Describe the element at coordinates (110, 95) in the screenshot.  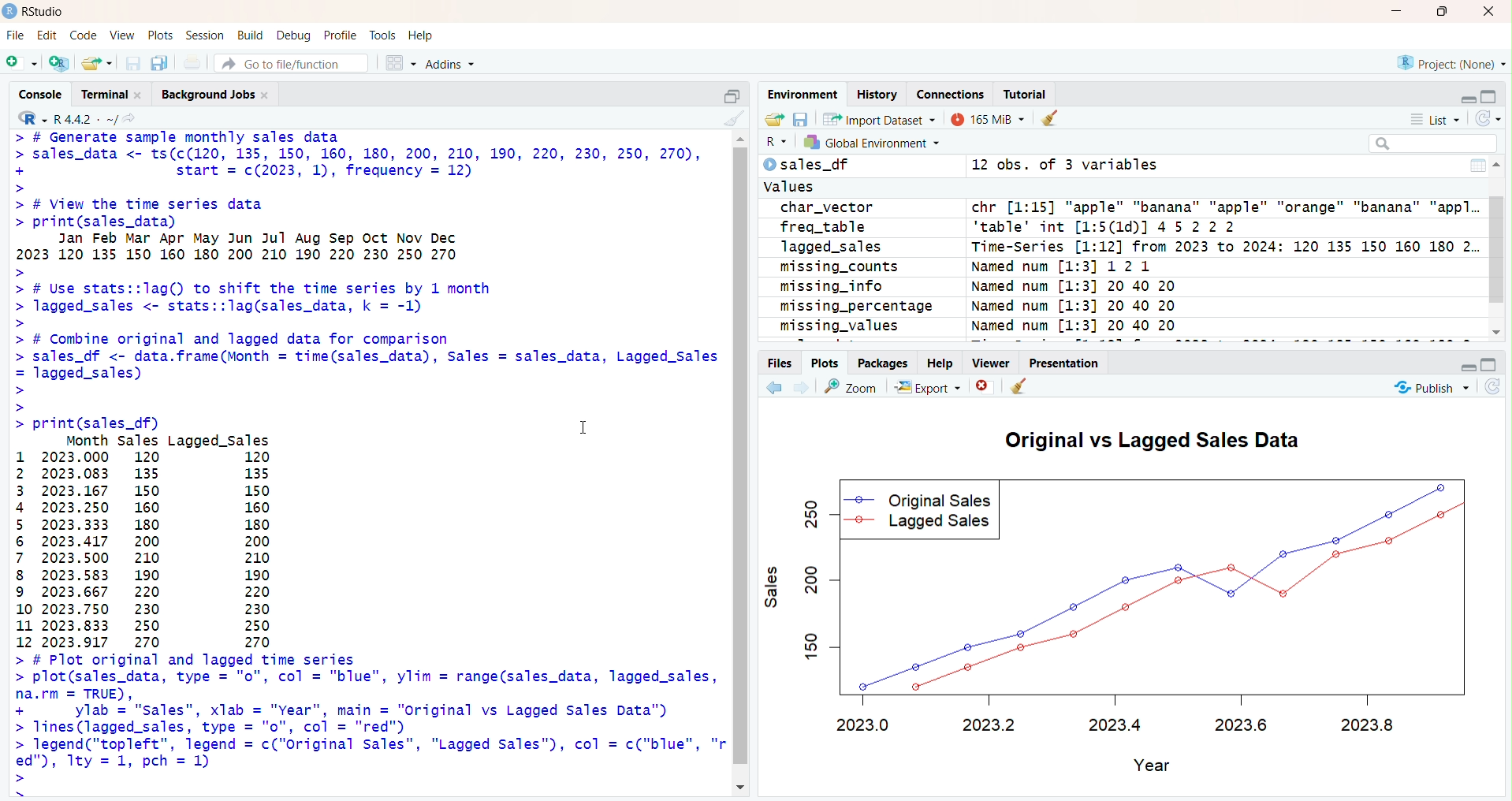
I see `terminal` at that location.